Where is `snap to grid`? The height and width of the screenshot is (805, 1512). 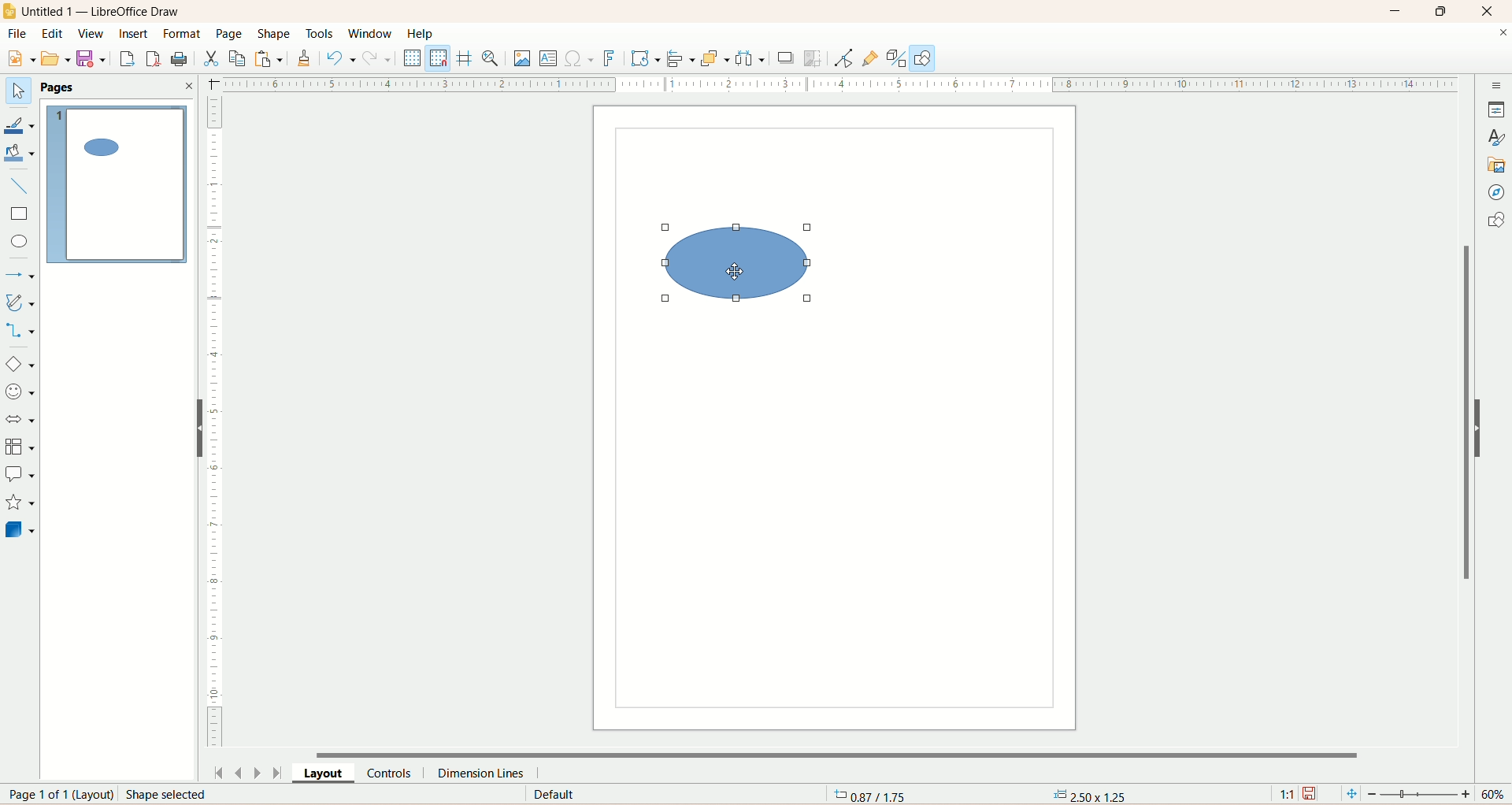
snap to grid is located at coordinates (442, 60).